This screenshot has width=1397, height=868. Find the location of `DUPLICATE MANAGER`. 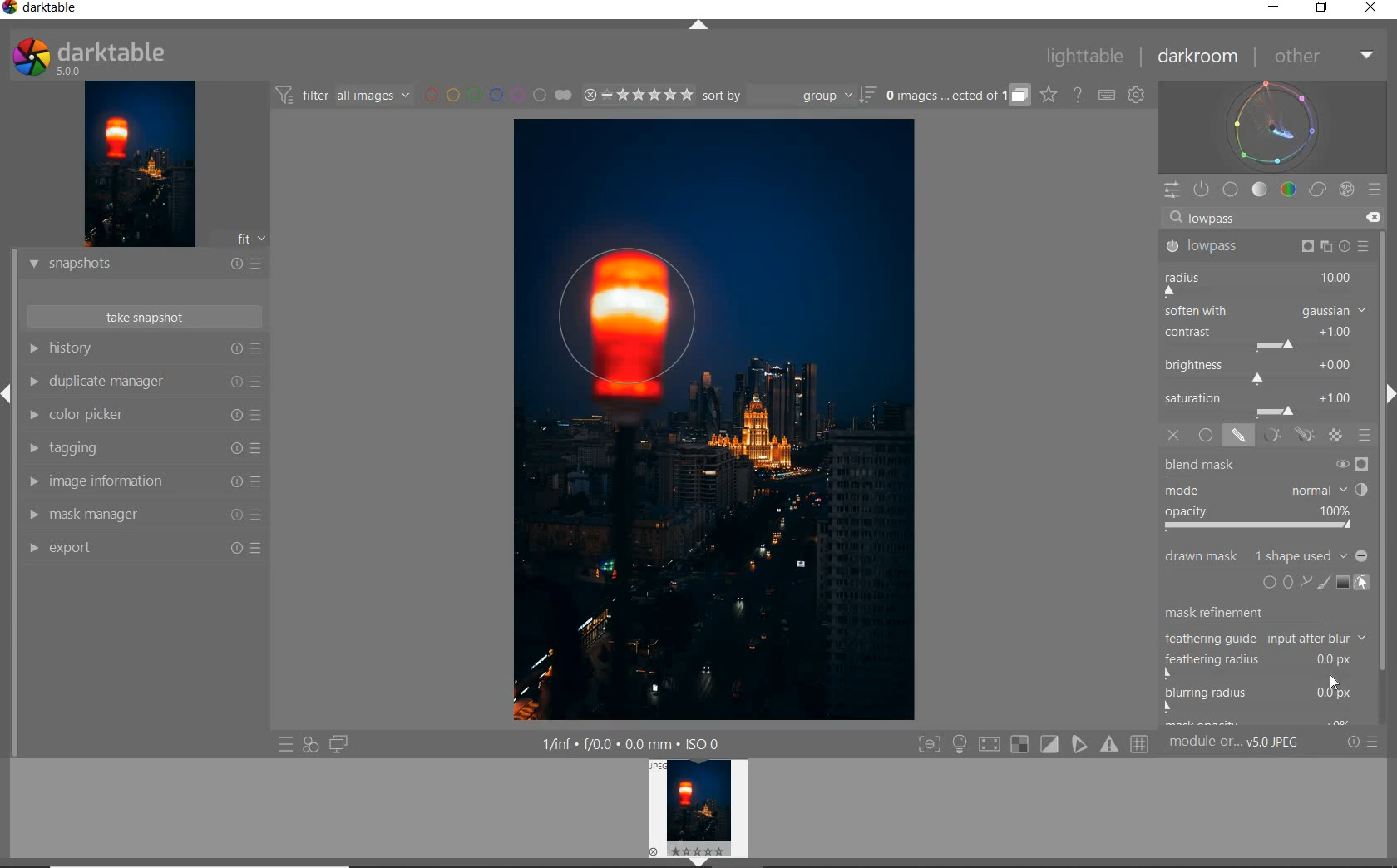

DUPLICATE MANAGER is located at coordinates (147, 383).